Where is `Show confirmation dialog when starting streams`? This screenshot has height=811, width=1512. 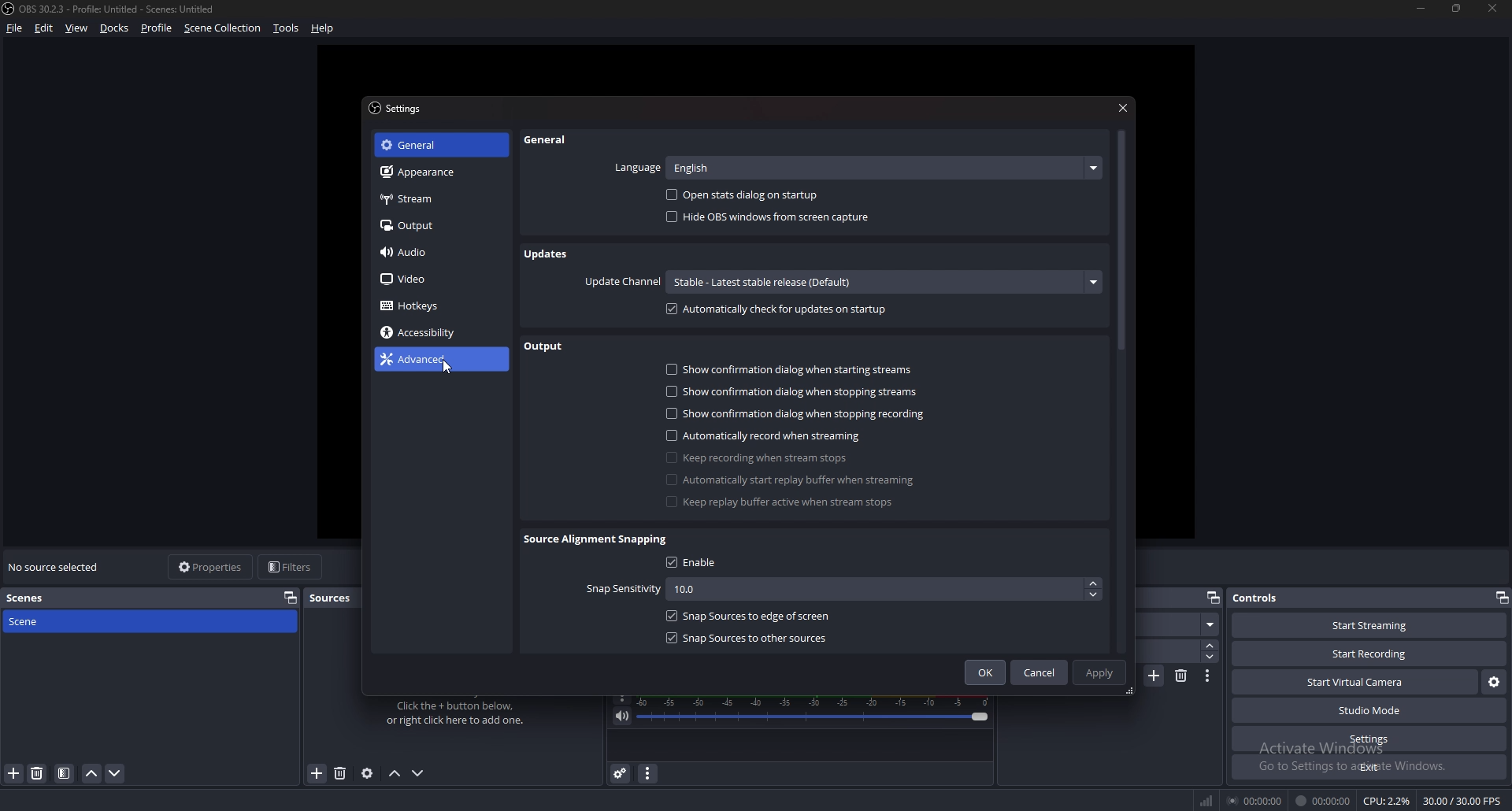
Show confirmation dialog when starting streams is located at coordinates (791, 369).